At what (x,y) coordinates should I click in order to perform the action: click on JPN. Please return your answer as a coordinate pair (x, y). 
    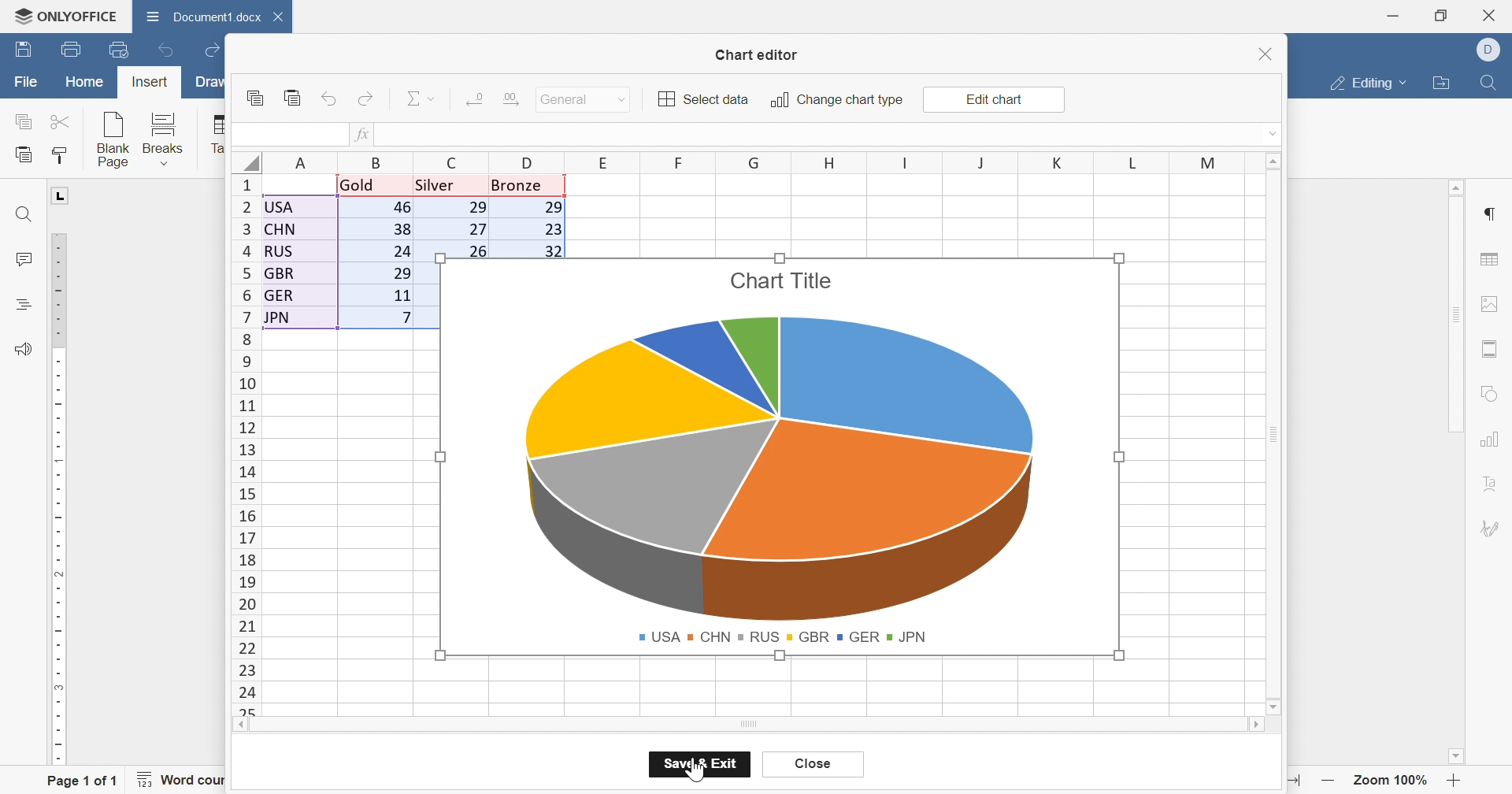
    Looking at the image, I should click on (279, 317).